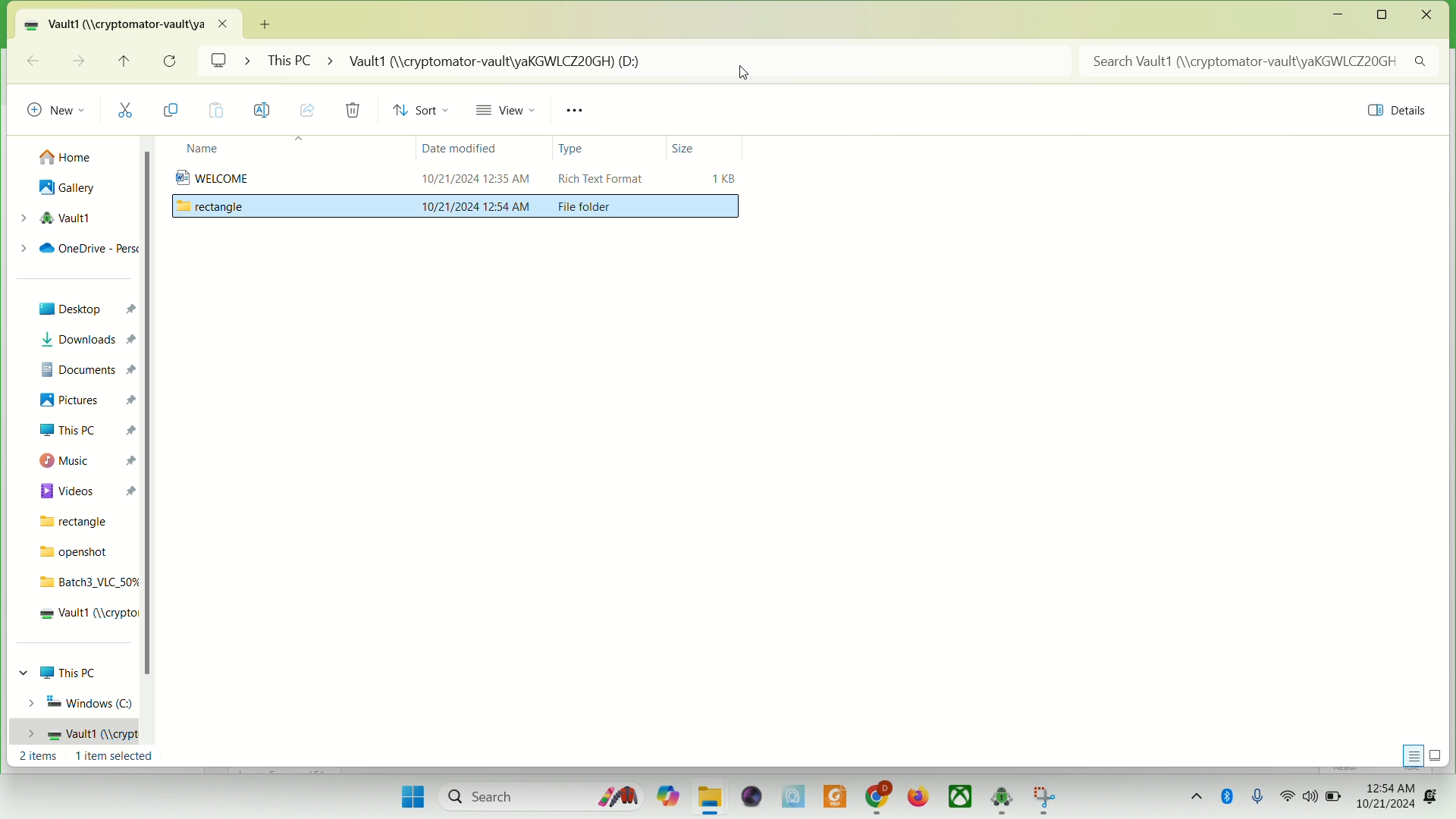 The width and height of the screenshot is (1456, 819). Describe the element at coordinates (148, 451) in the screenshot. I see `vertical scroll bar` at that location.